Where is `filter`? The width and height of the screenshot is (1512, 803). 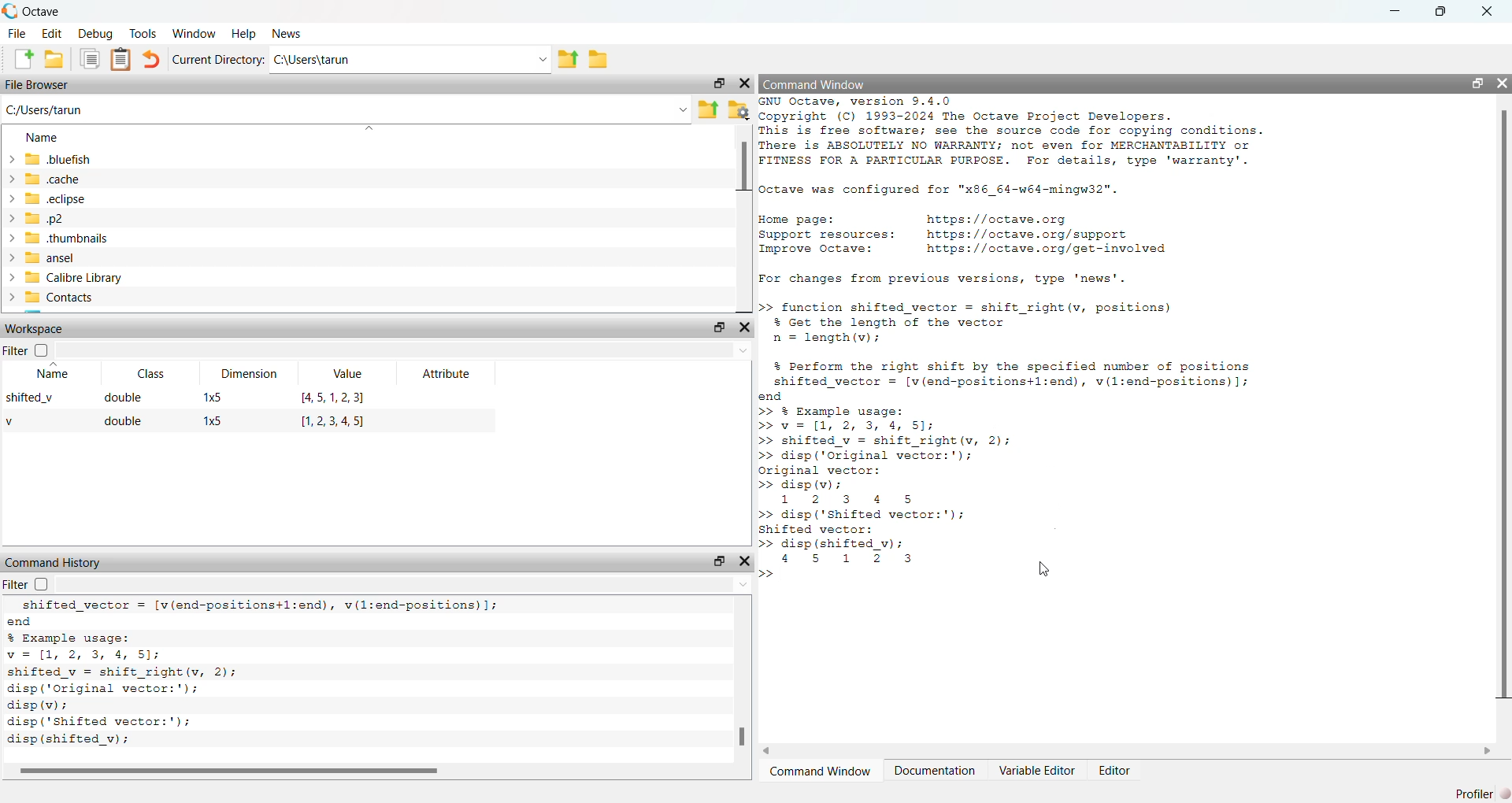 filter is located at coordinates (28, 348).